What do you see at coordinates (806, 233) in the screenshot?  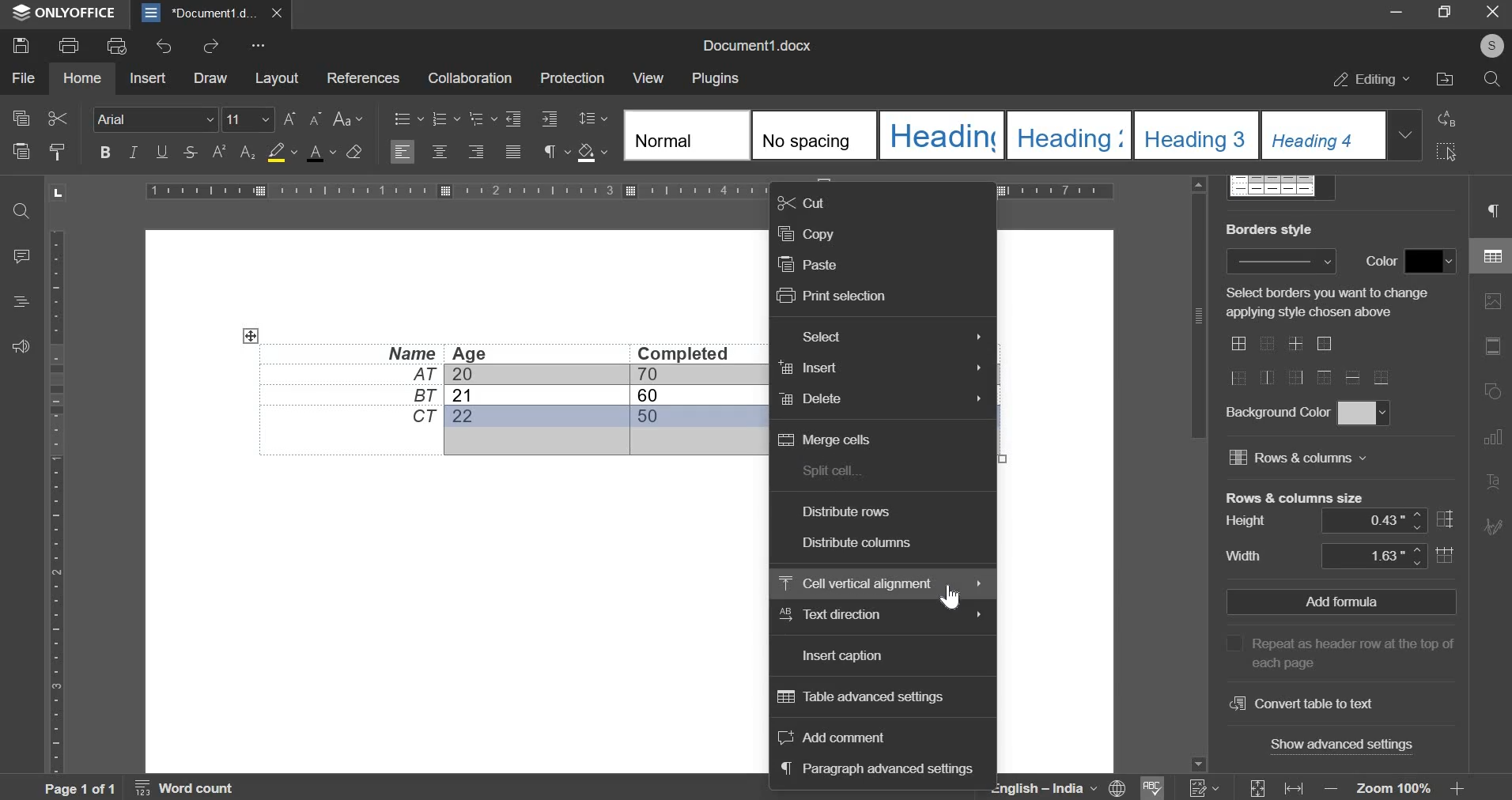 I see `copy` at bounding box center [806, 233].